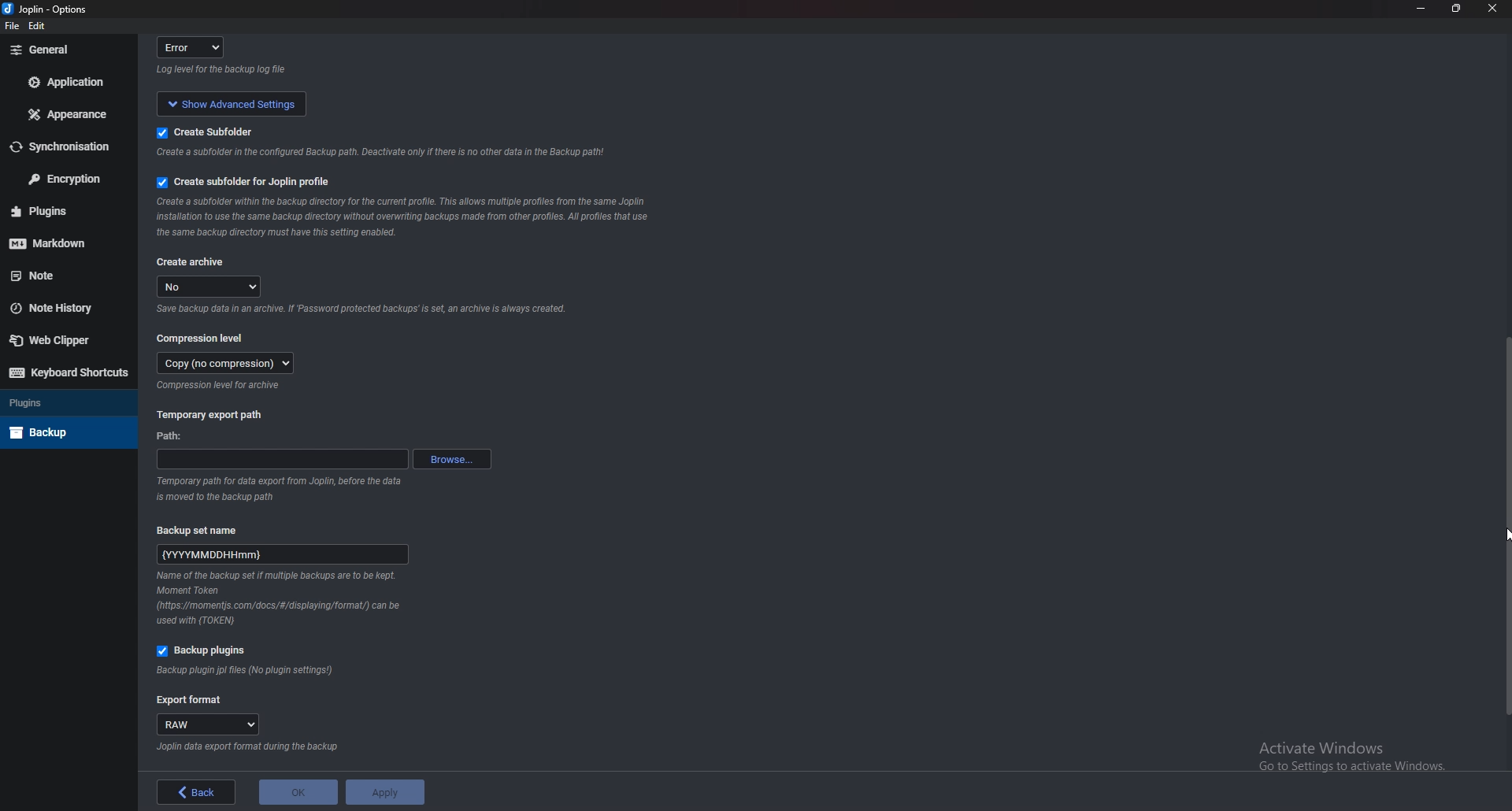 The width and height of the screenshot is (1512, 811). I want to click on Scroll bar, so click(1506, 522).